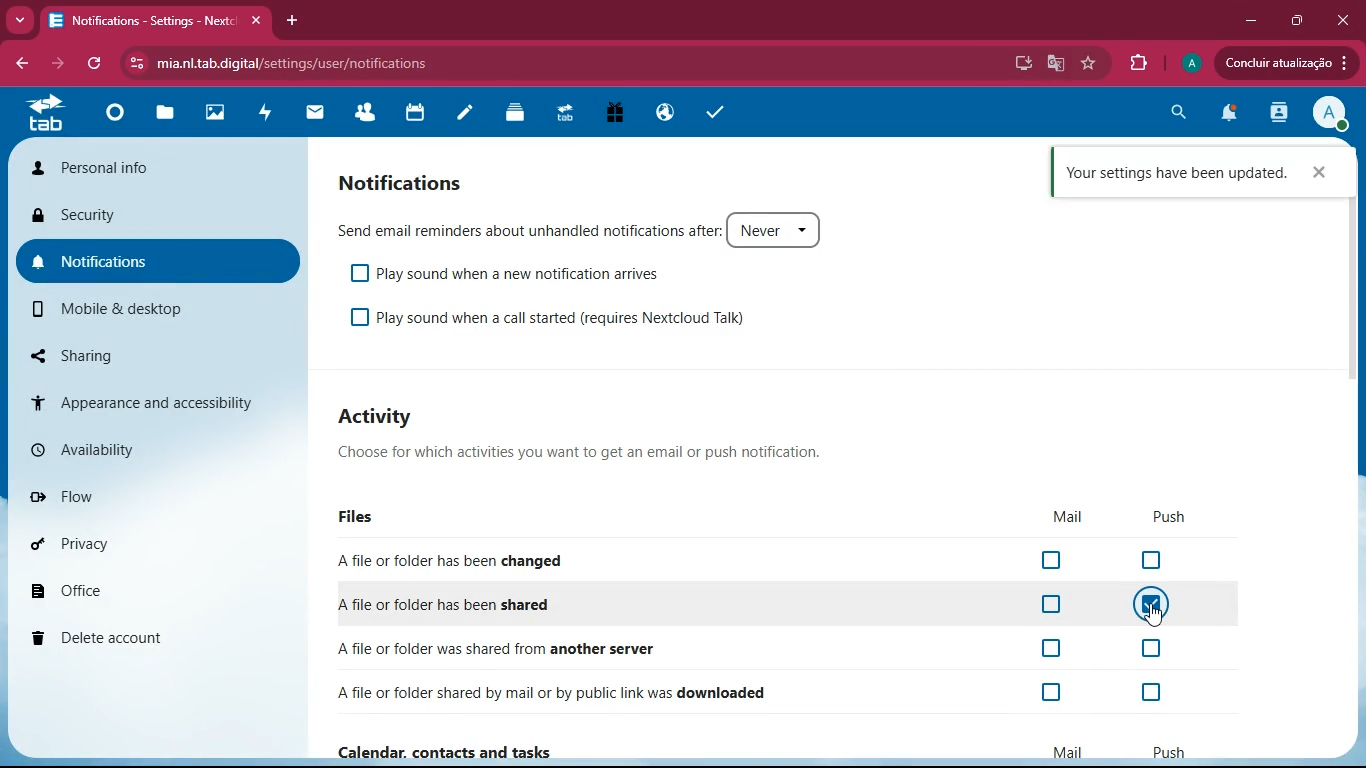  I want to click on changed, so click(505, 560).